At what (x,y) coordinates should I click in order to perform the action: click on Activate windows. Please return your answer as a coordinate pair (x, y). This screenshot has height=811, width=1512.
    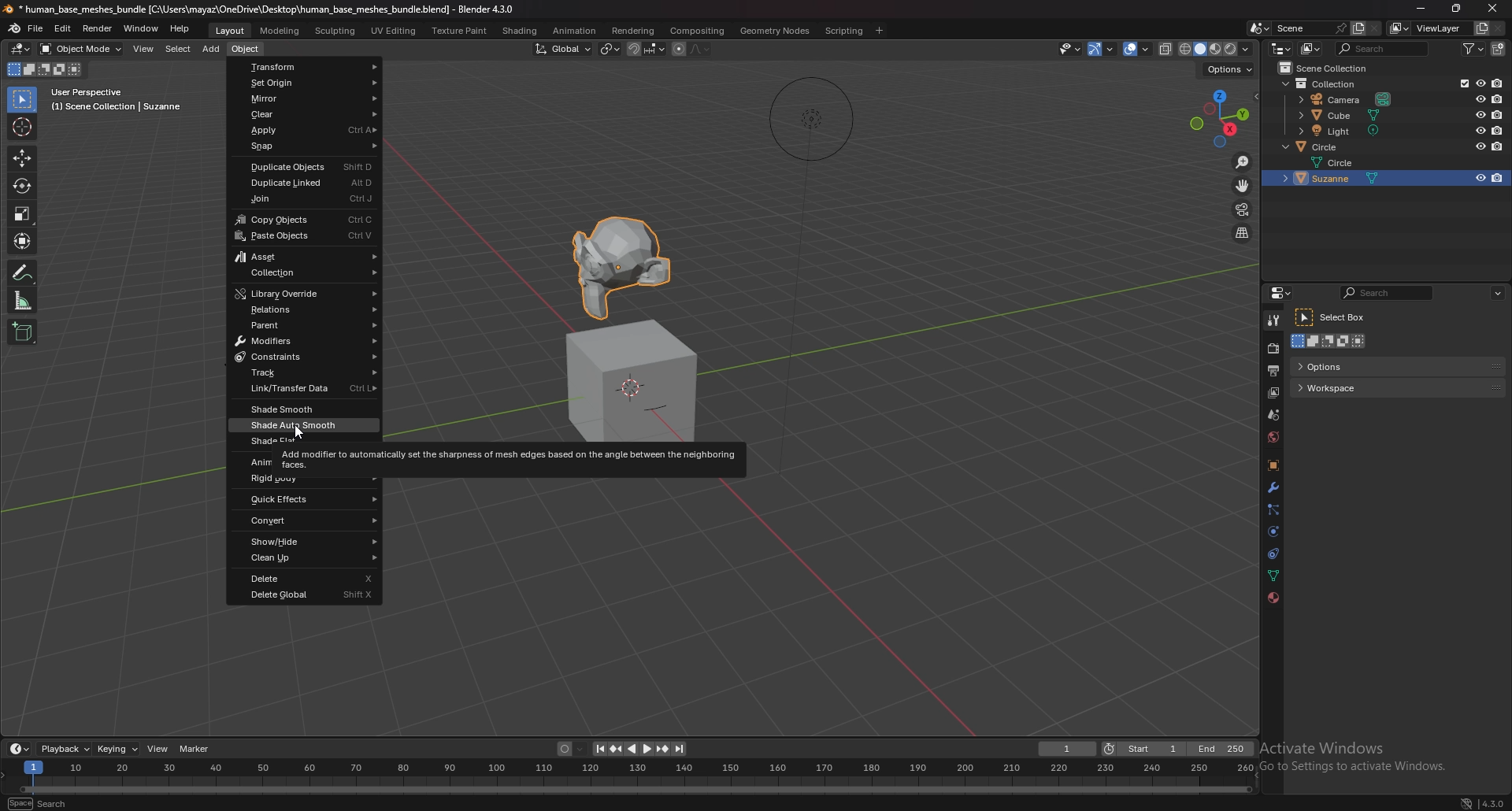
    Looking at the image, I should click on (1360, 748).